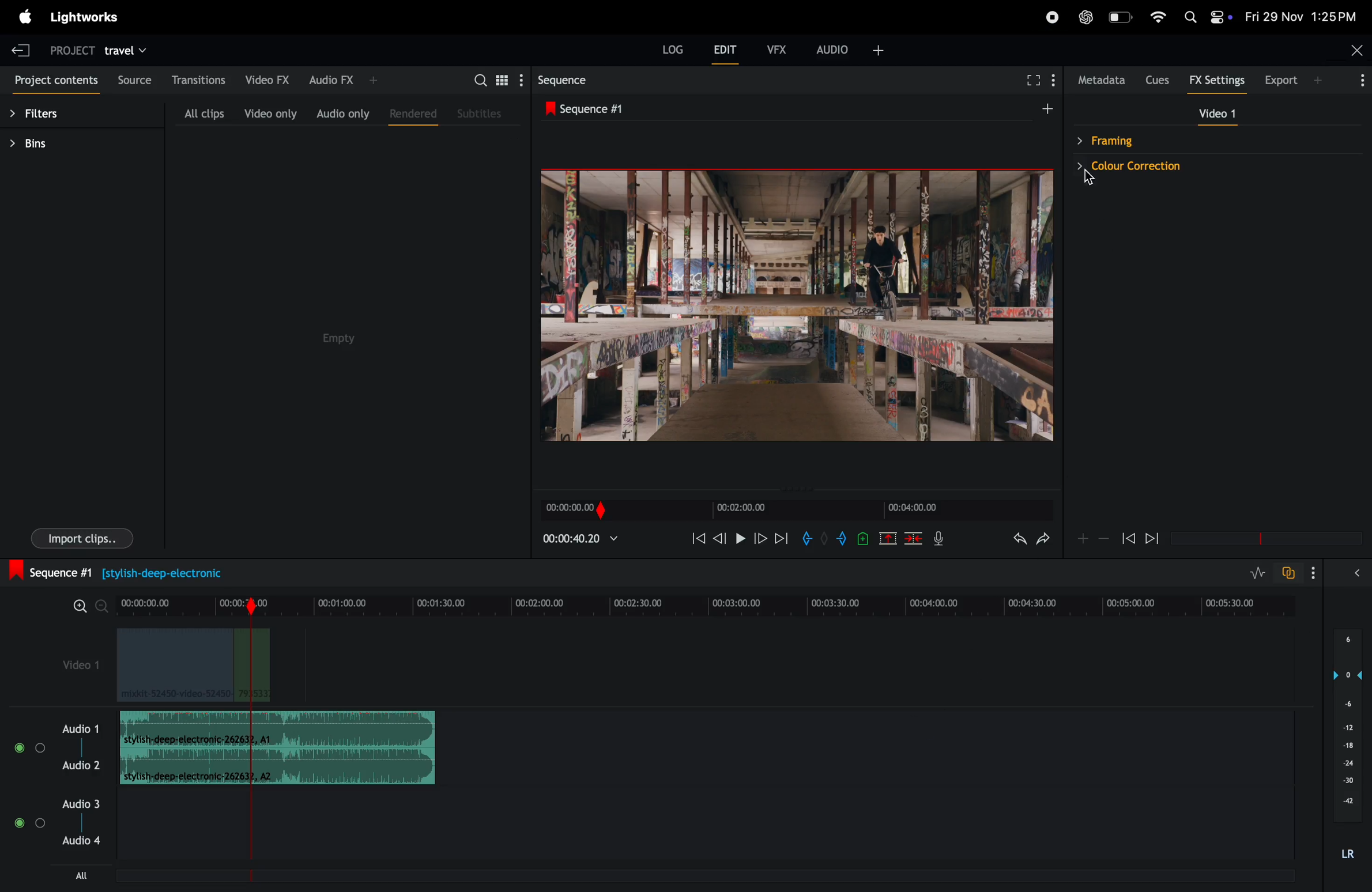 The width and height of the screenshot is (1372, 892). Describe the element at coordinates (135, 80) in the screenshot. I see `source` at that location.